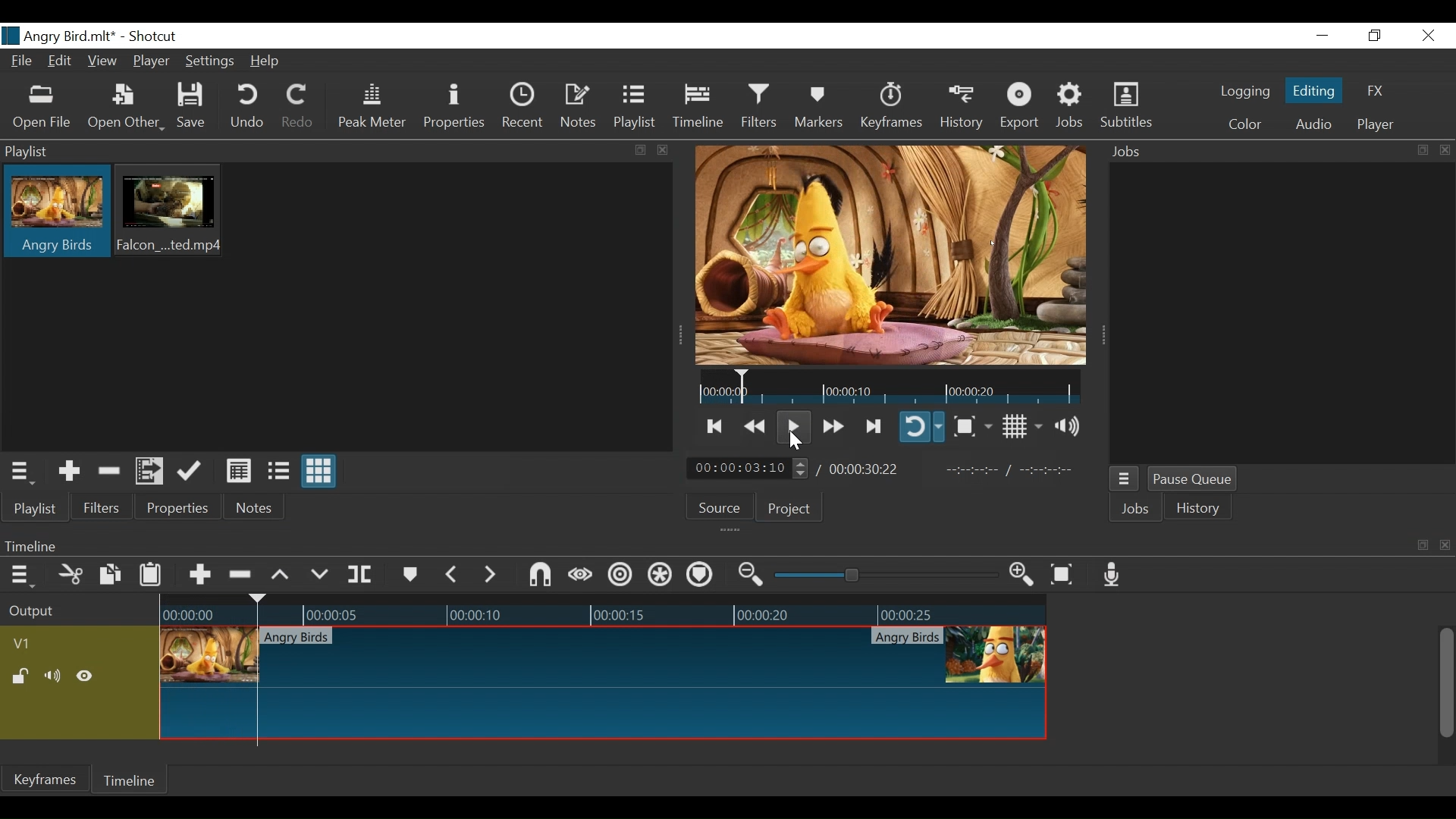 This screenshot has height=819, width=1456. Describe the element at coordinates (792, 425) in the screenshot. I see `Toggle play or pause (space)` at that location.